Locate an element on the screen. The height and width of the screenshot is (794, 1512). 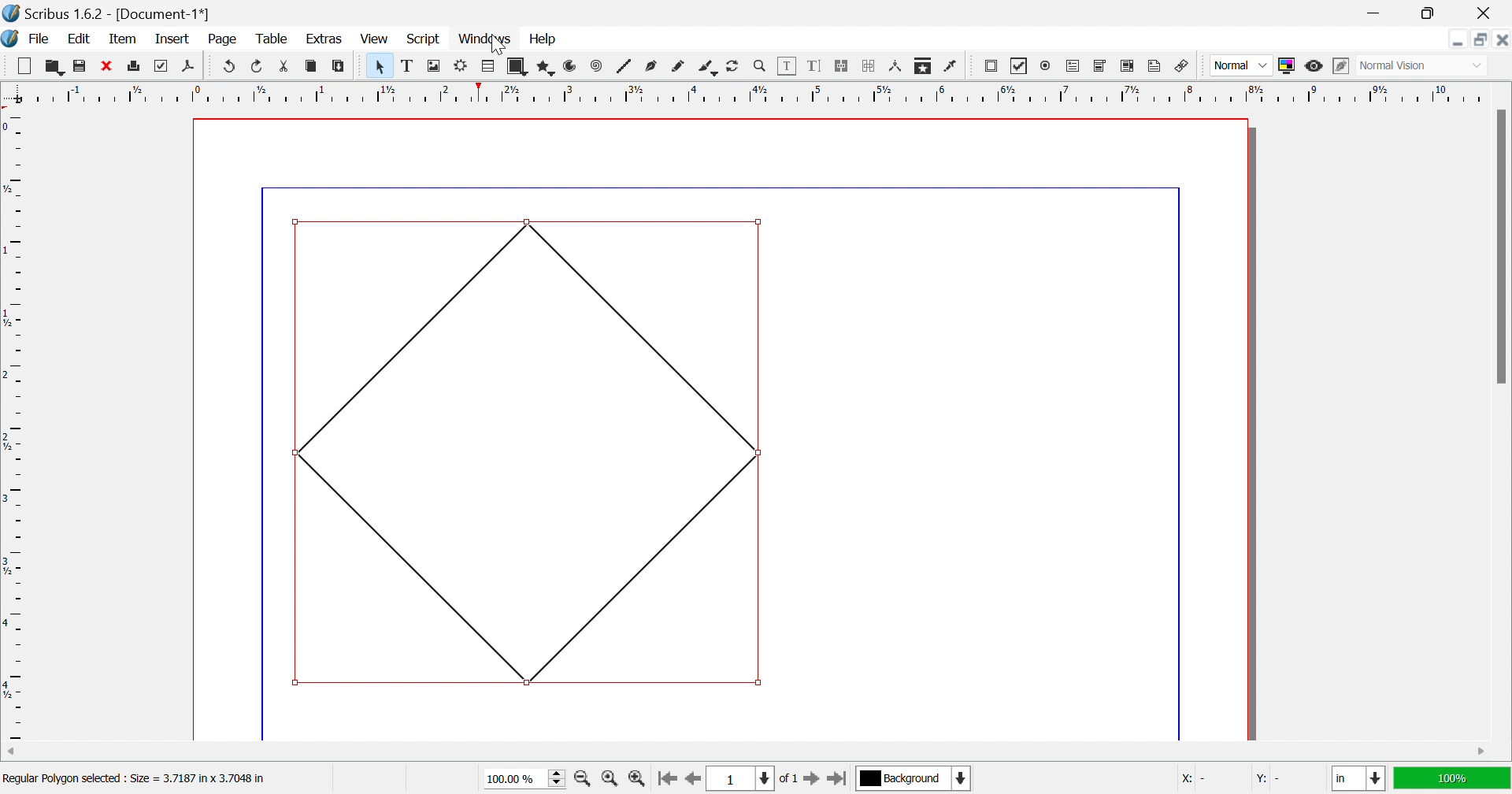
Page is located at coordinates (221, 39).